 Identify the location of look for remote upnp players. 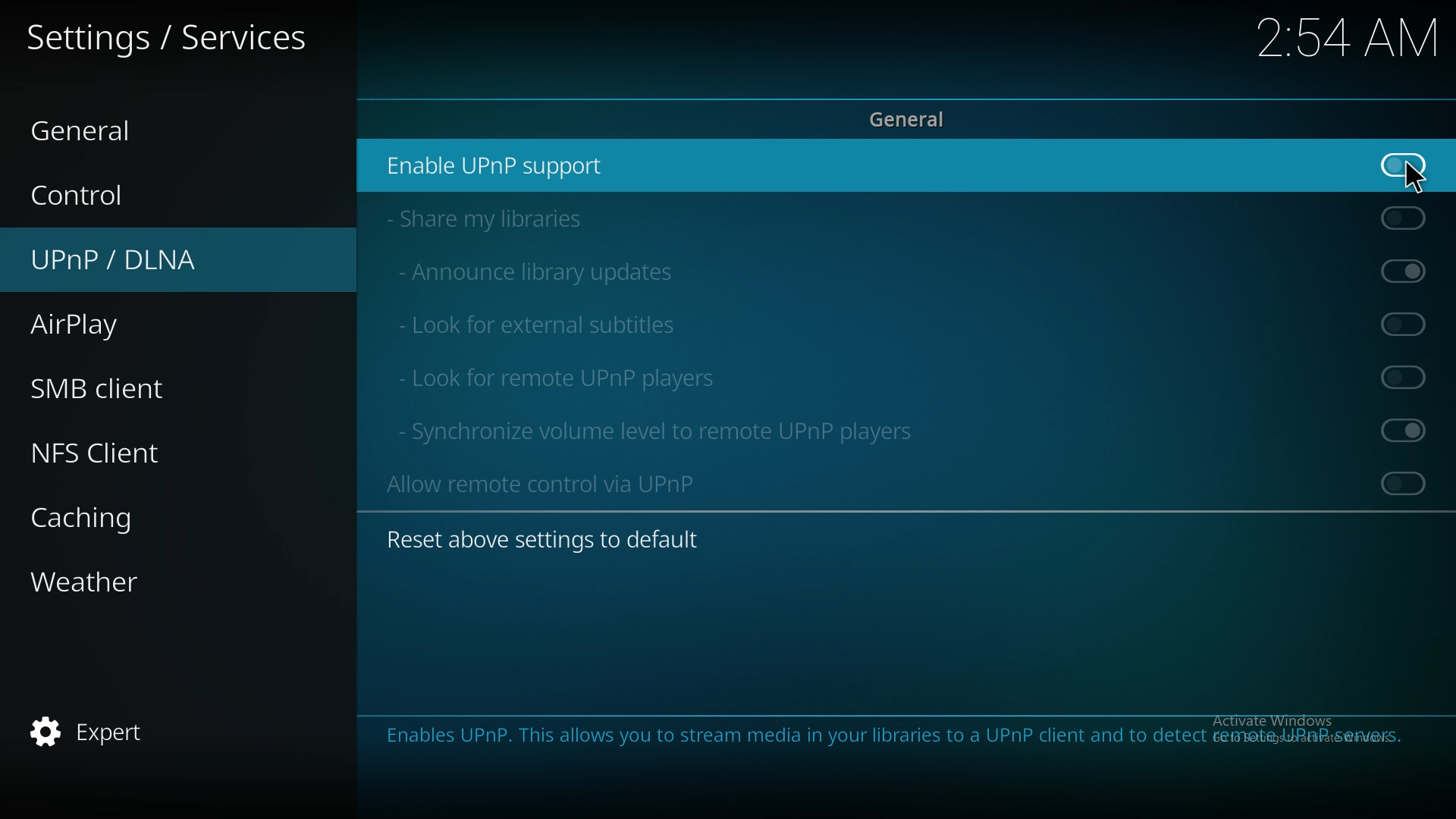
(560, 376).